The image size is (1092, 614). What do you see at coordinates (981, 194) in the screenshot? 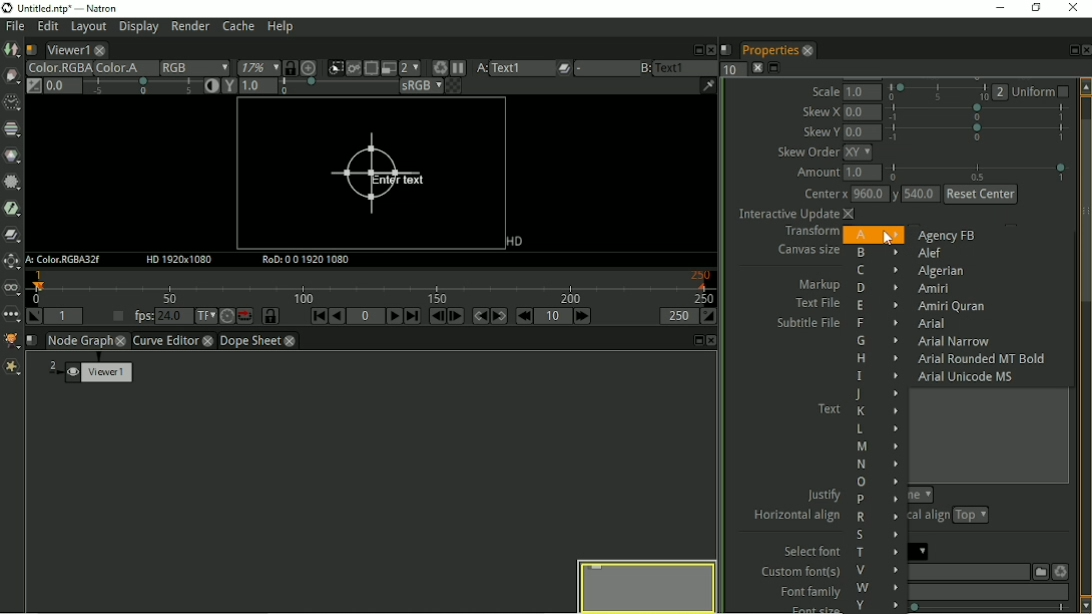
I see `Reset Center` at bounding box center [981, 194].